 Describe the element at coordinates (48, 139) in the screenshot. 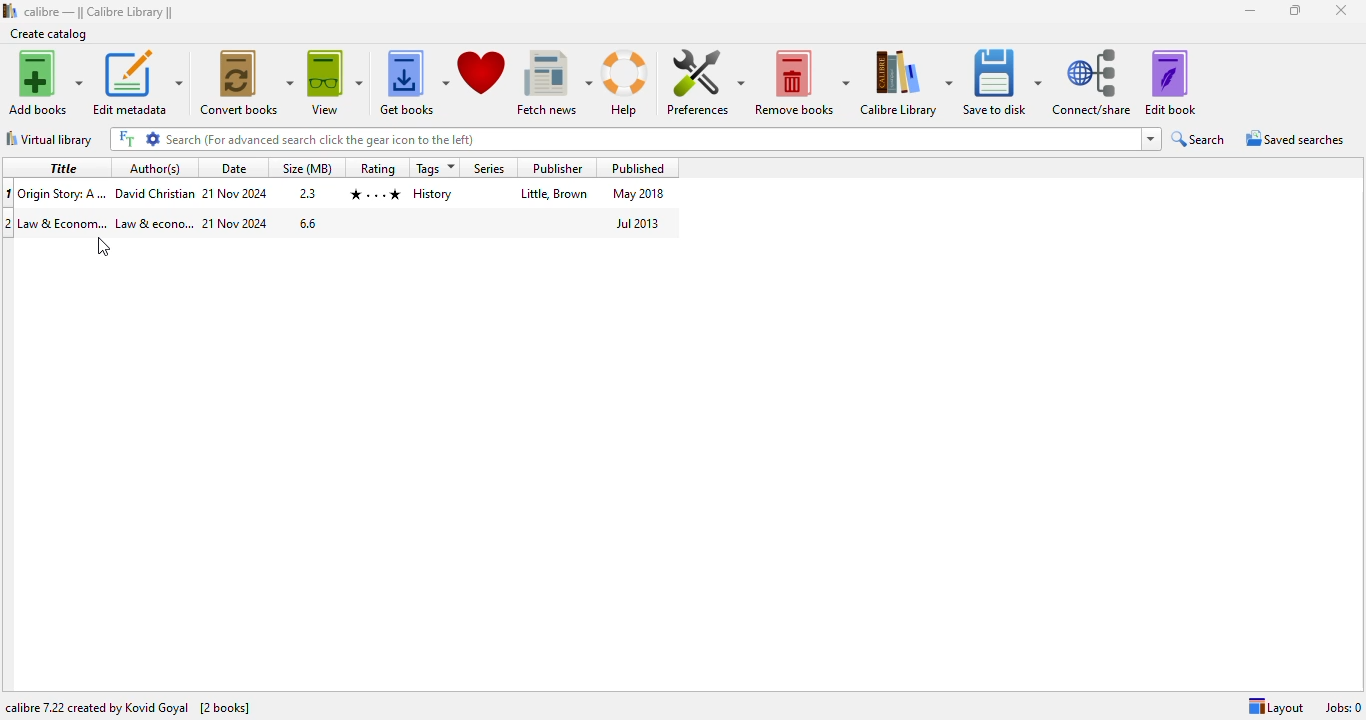

I see `virtual library` at that location.